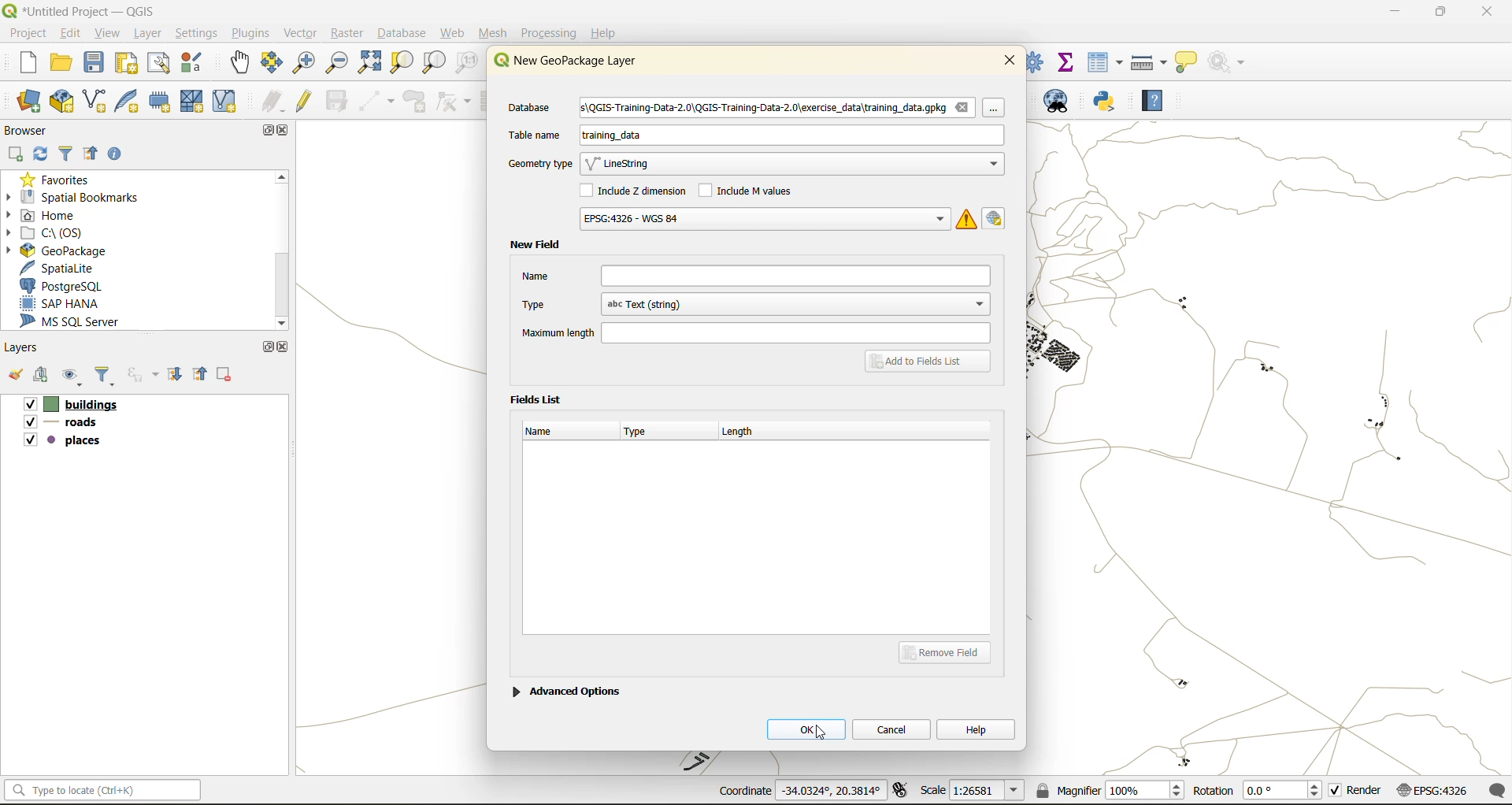 Image resolution: width=1512 pixels, height=805 pixels. What do you see at coordinates (754, 332) in the screenshot?
I see `maximum length` at bounding box center [754, 332].